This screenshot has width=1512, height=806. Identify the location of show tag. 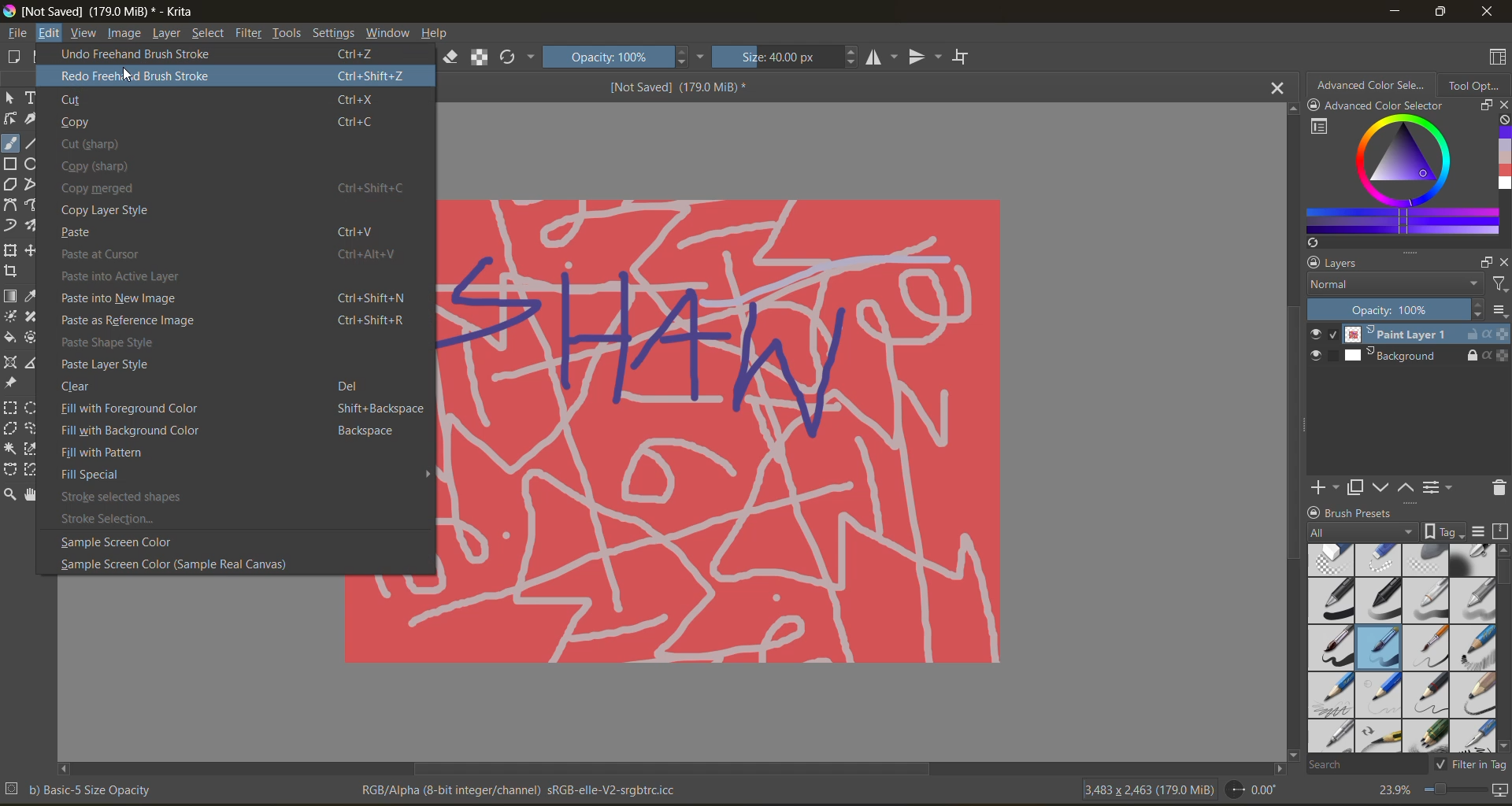
(1443, 531).